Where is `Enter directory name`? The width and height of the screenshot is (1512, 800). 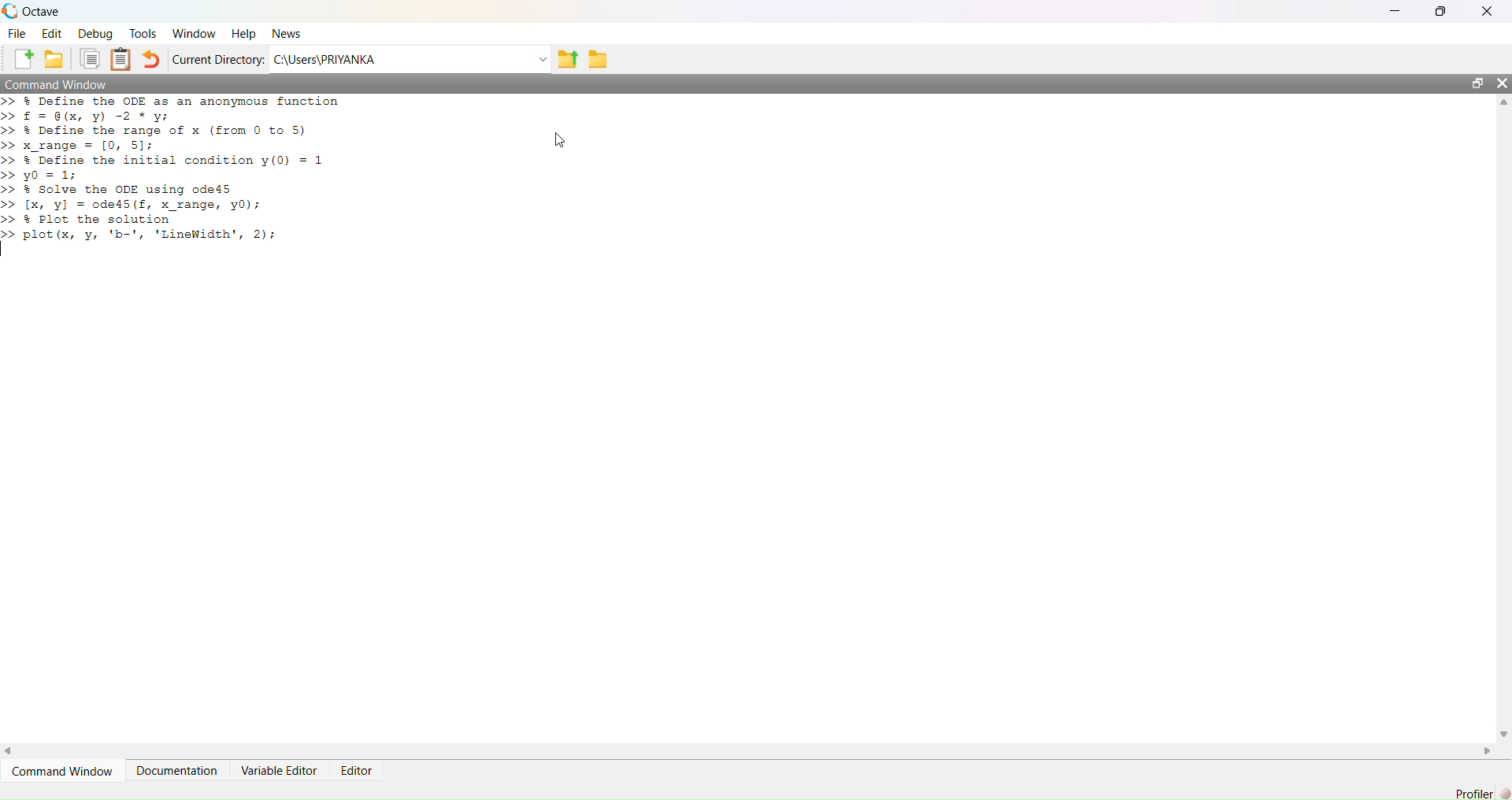 Enter directory name is located at coordinates (543, 58).